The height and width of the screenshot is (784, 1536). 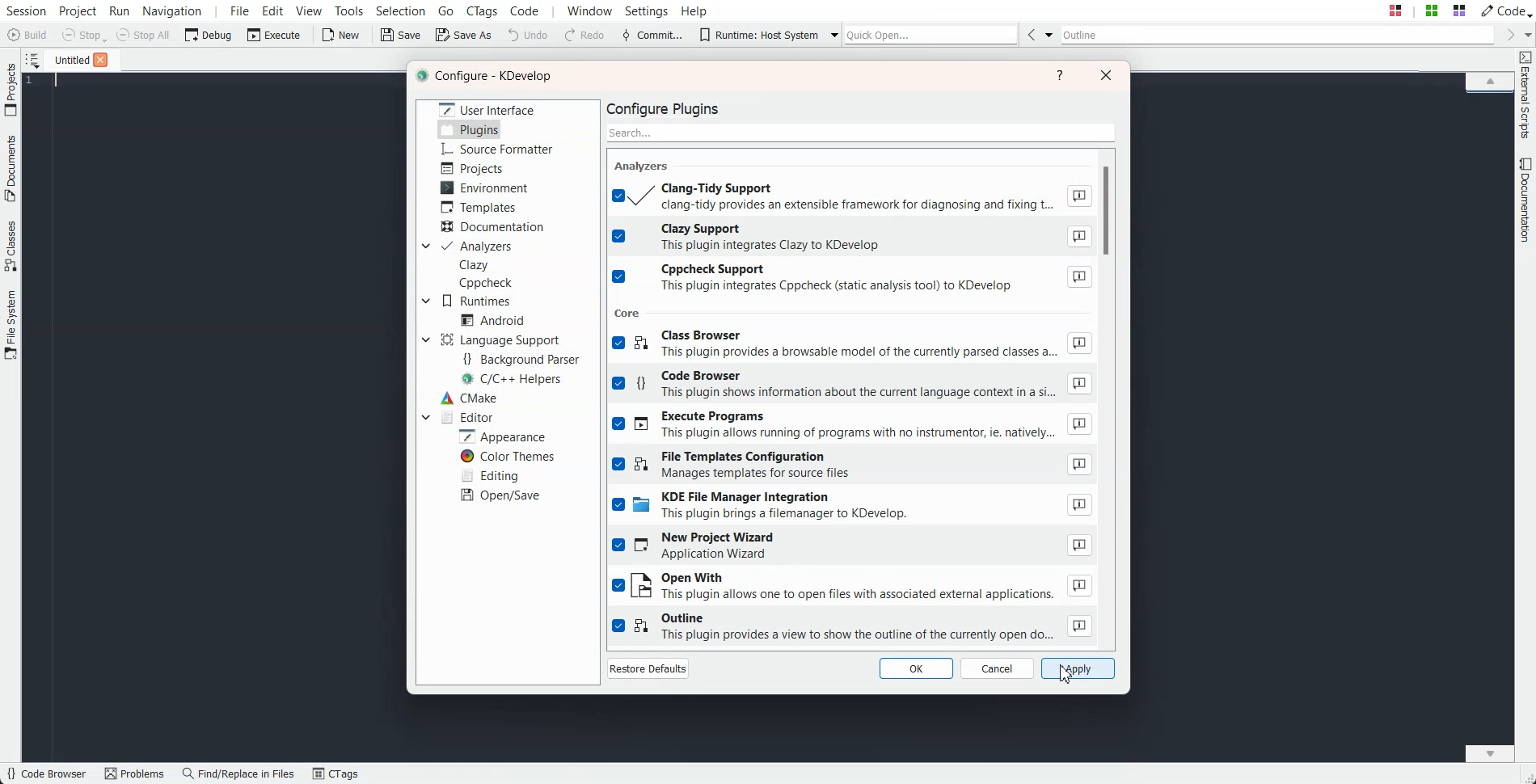 I want to click on Settings, so click(x=650, y=11).